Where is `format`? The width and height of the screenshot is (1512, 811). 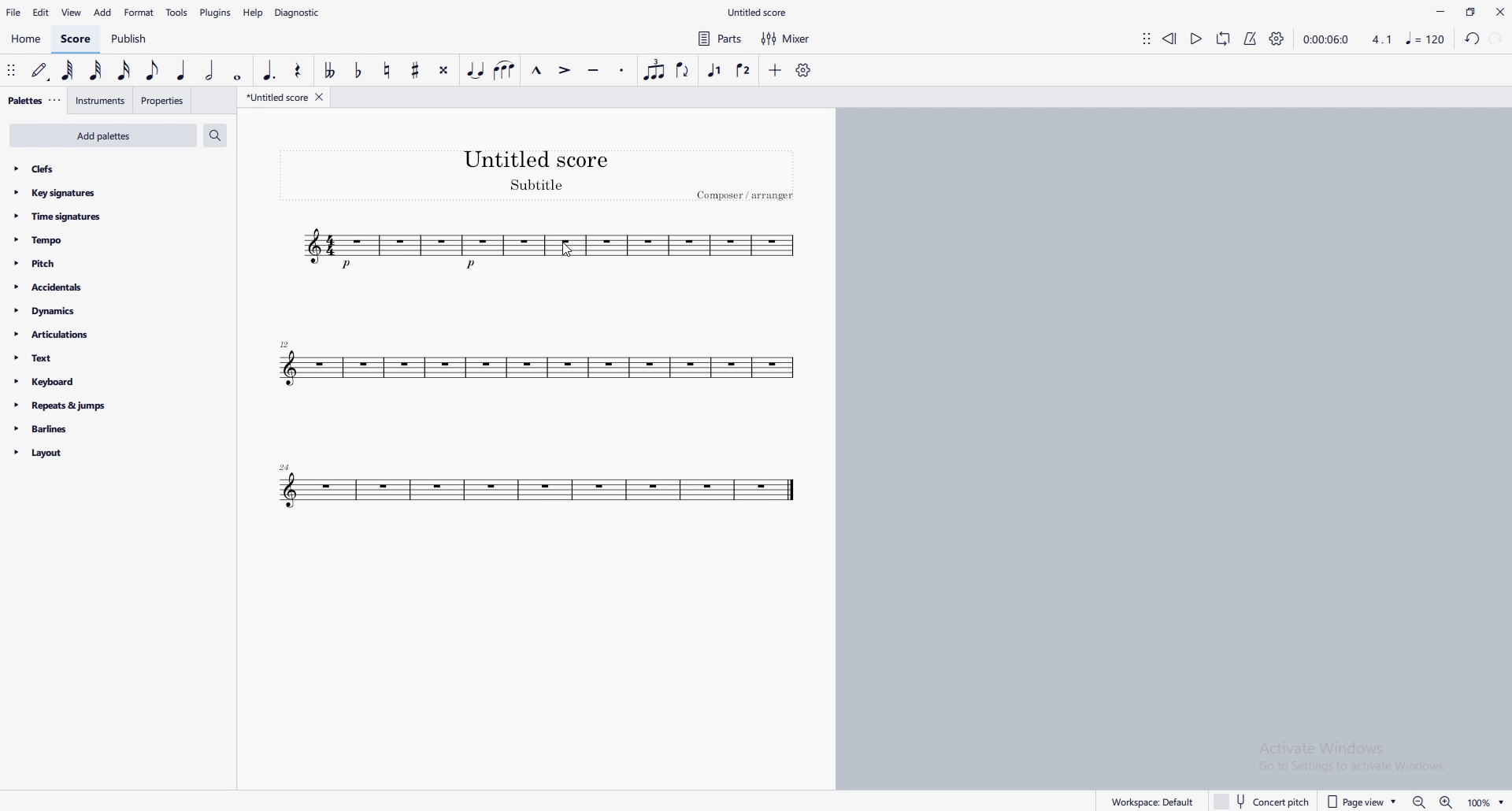
format is located at coordinates (139, 13).